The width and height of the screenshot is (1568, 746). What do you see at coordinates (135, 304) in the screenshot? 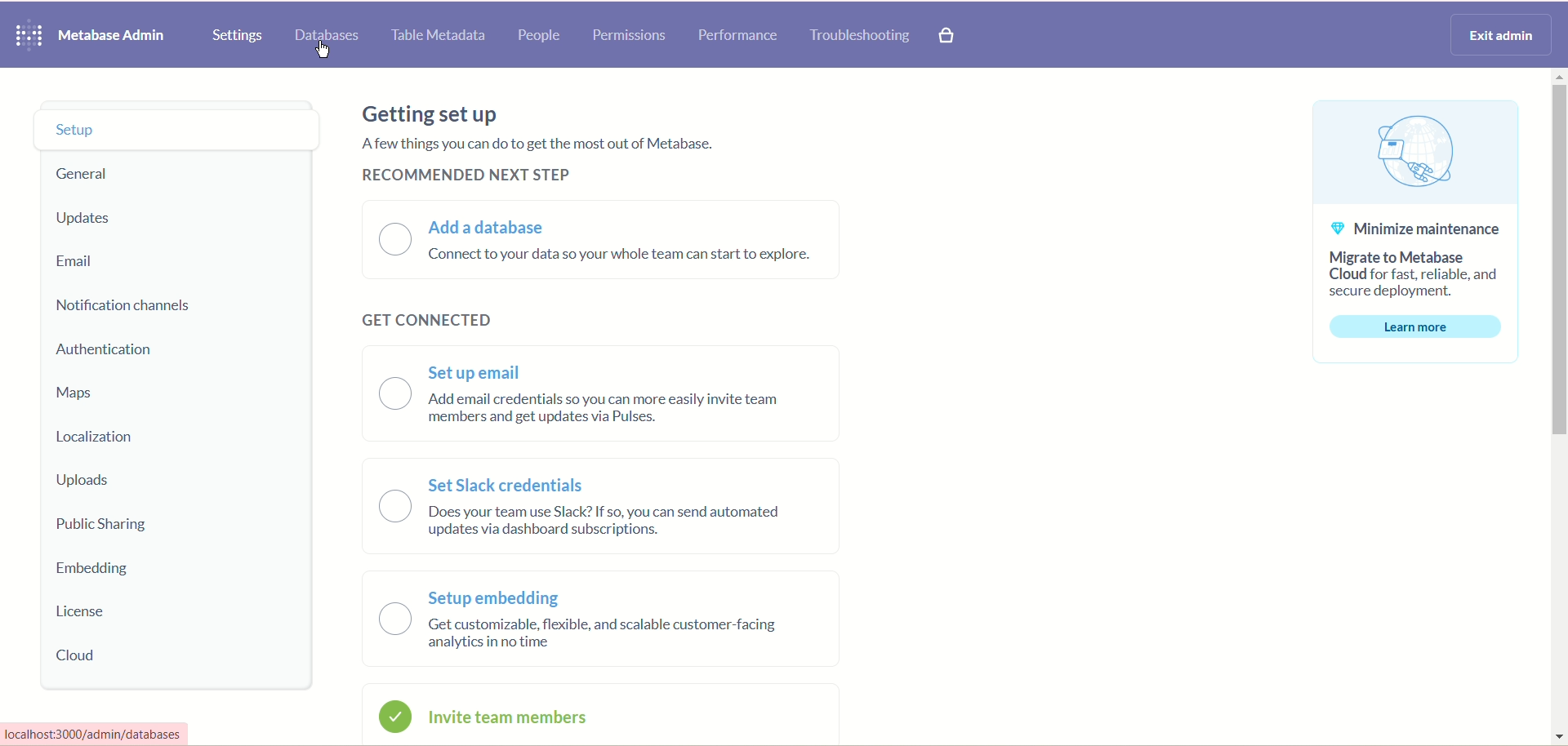
I see `notification channels` at bounding box center [135, 304].